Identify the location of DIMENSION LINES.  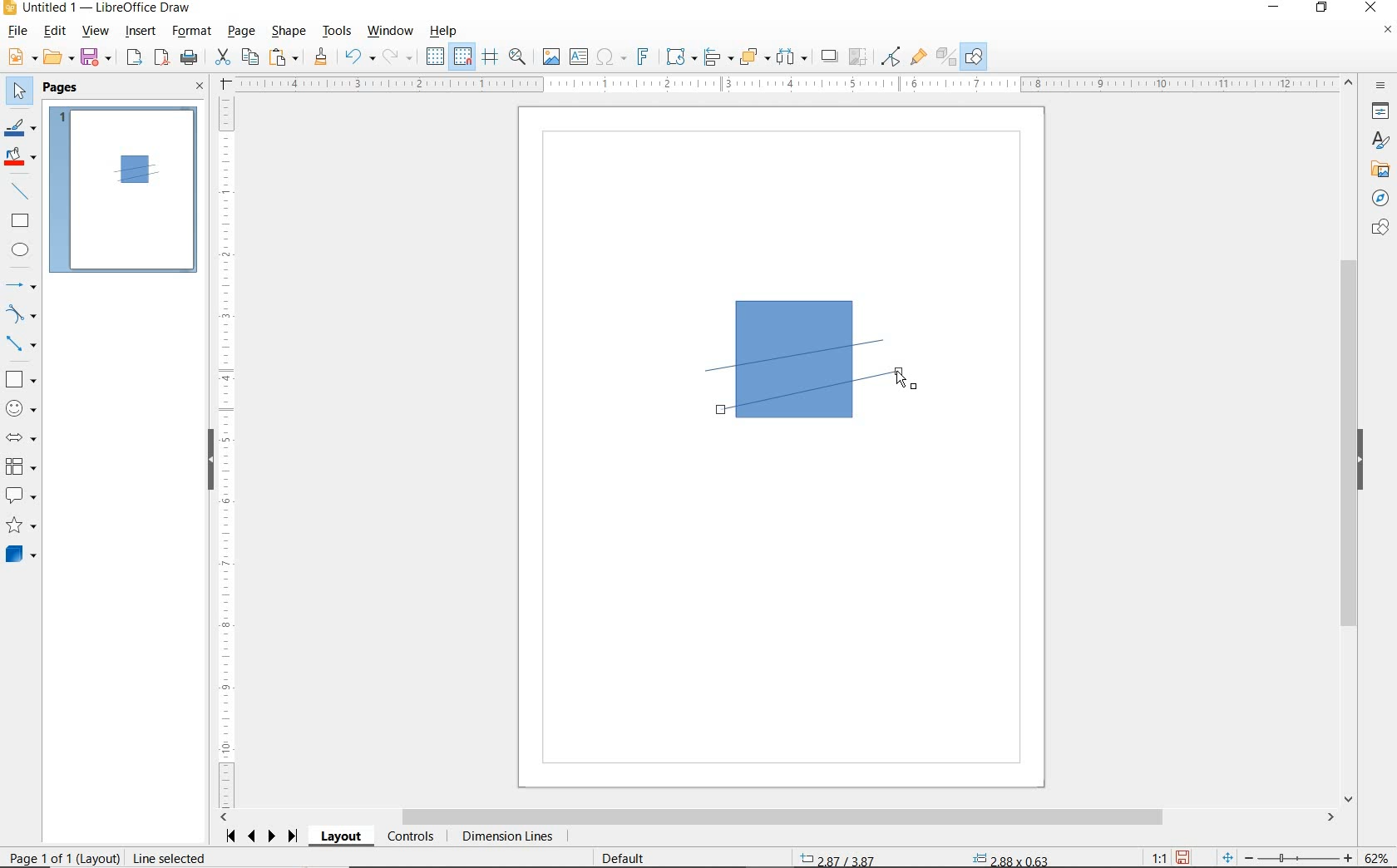
(506, 837).